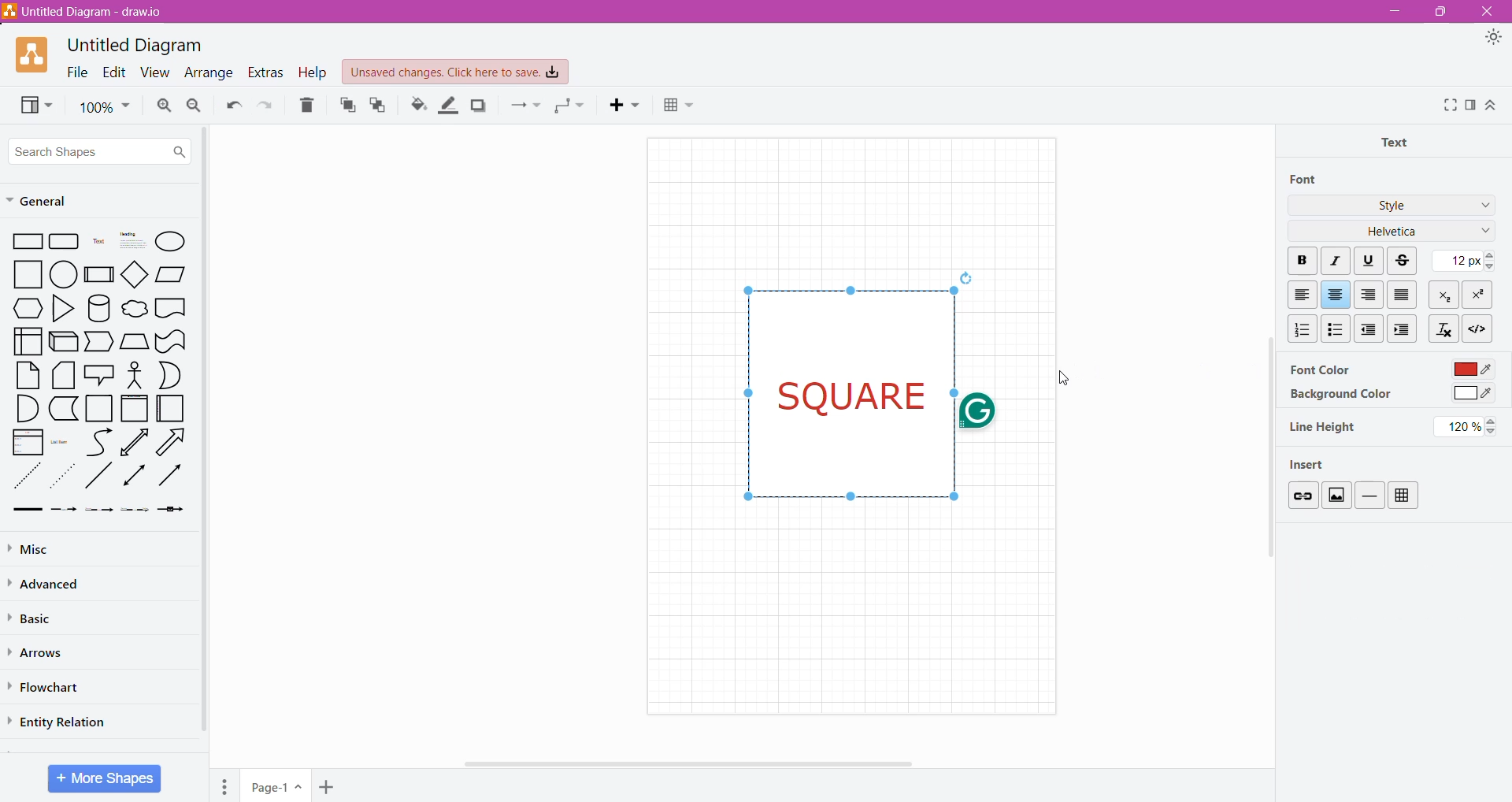 Image resolution: width=1512 pixels, height=802 pixels. I want to click on Vertical Scroll Bar, so click(1265, 474).